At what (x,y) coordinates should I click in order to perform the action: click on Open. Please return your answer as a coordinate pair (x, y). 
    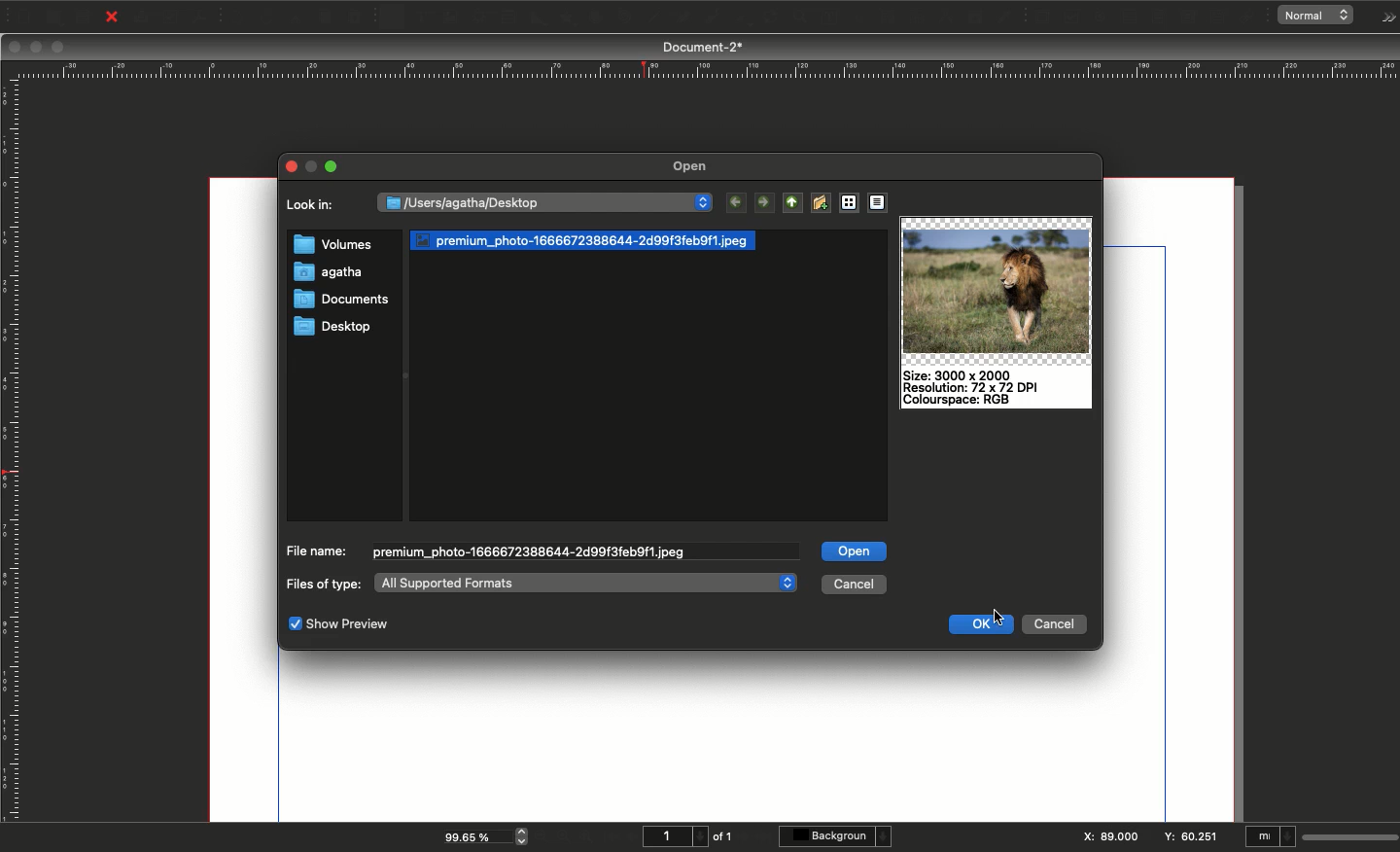
    Looking at the image, I should click on (855, 550).